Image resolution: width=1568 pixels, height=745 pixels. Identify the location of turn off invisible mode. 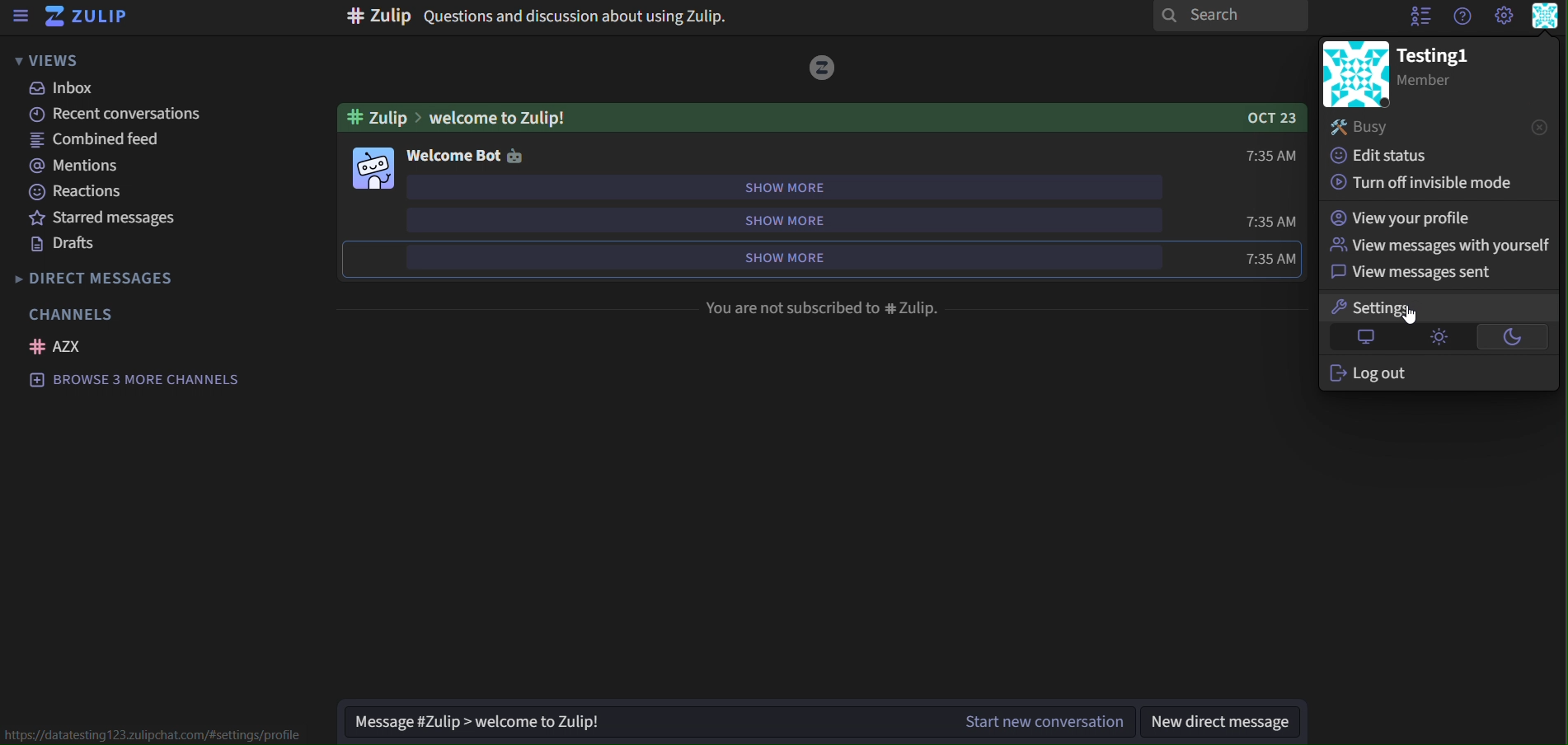
(1424, 181).